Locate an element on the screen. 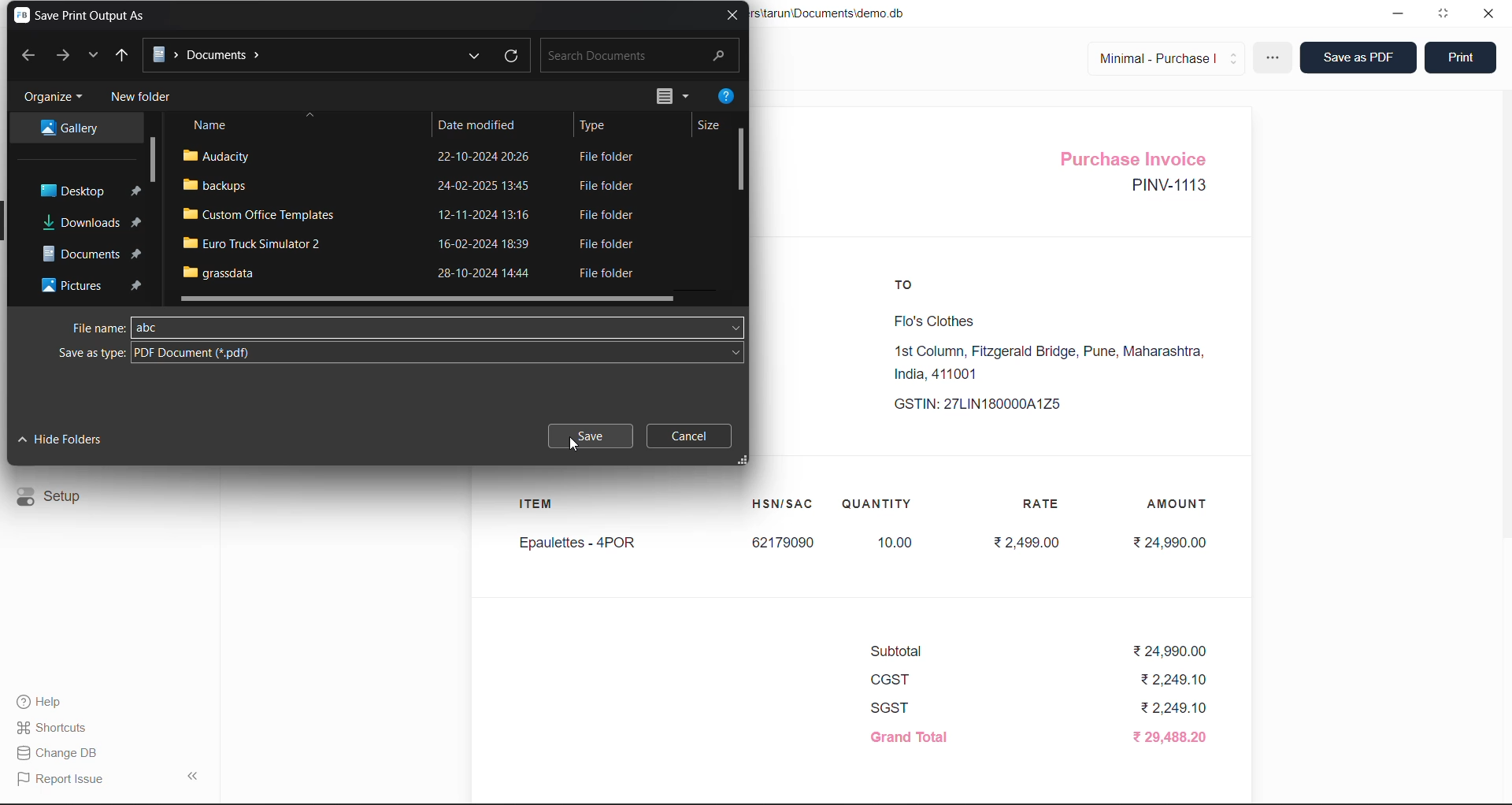 The height and width of the screenshot is (805, 1512). Size is located at coordinates (713, 129).